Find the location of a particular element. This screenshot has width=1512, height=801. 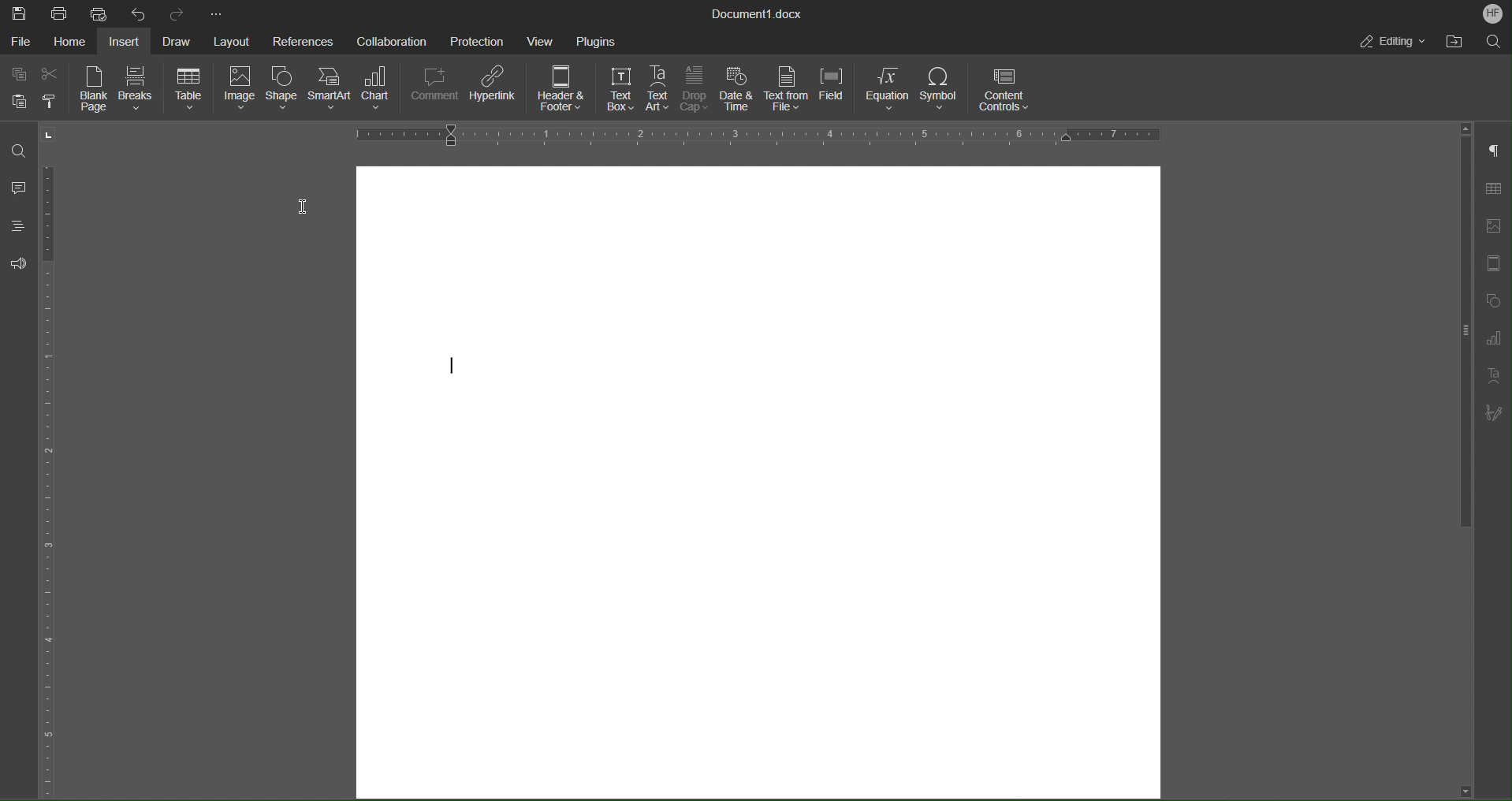

Comments is located at coordinates (17, 185).